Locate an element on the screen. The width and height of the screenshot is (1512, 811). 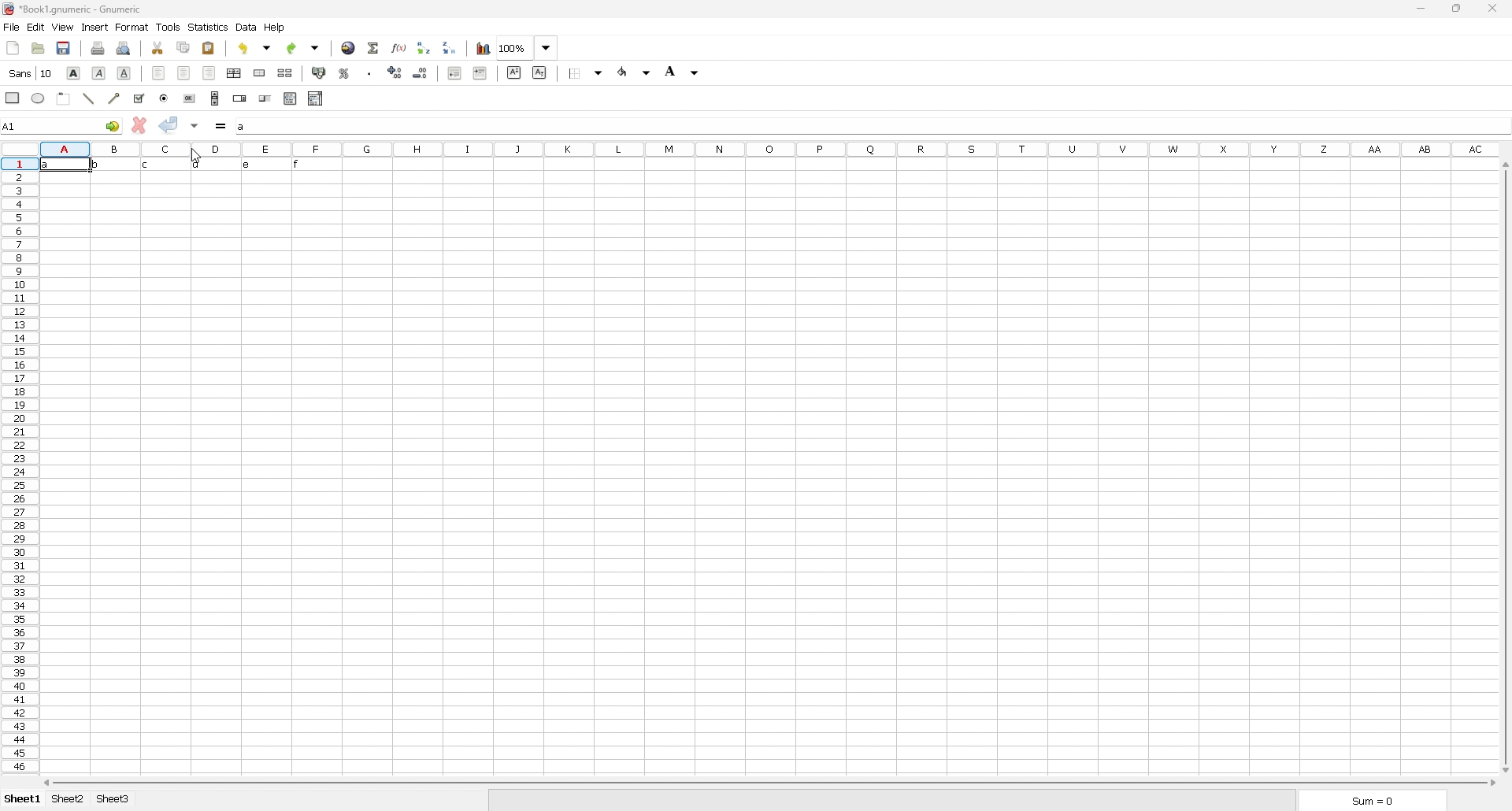
copy is located at coordinates (183, 47).